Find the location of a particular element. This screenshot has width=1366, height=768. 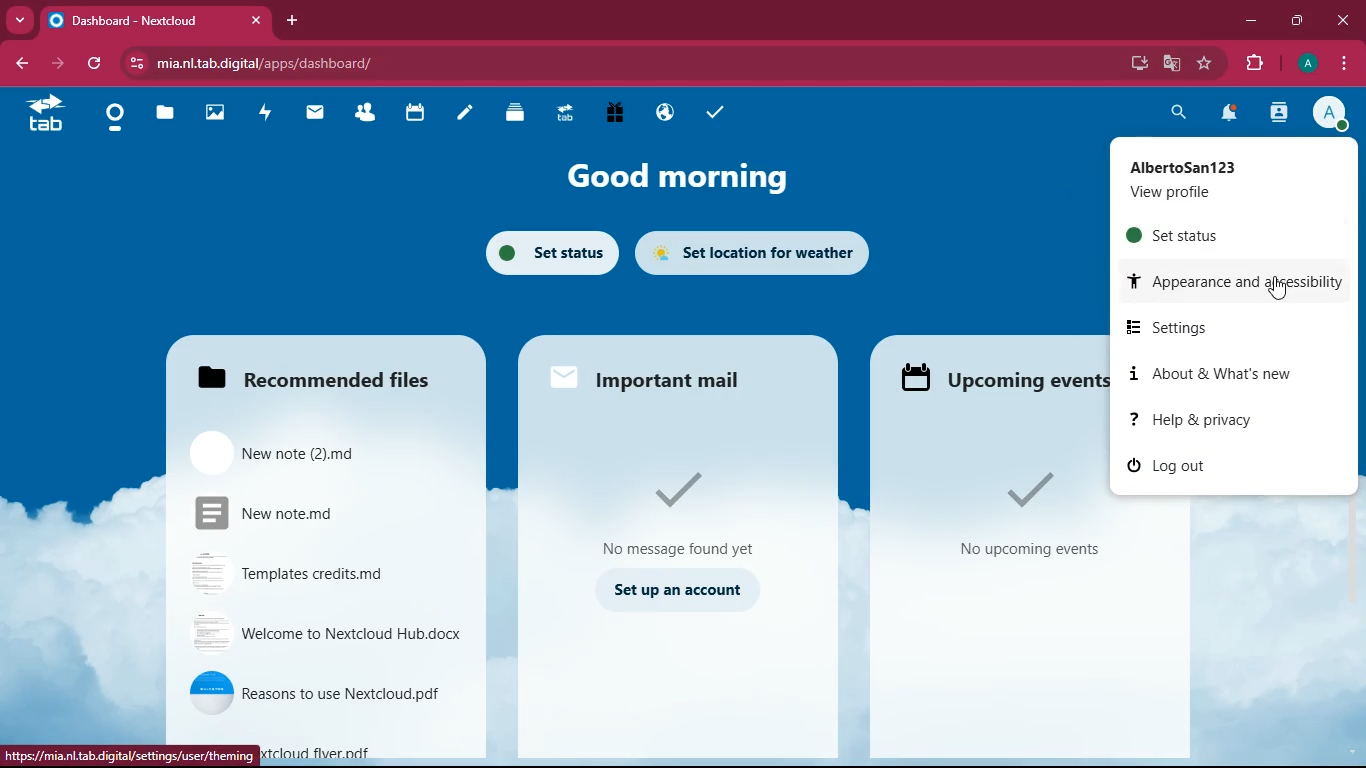

url is located at coordinates (295, 60).